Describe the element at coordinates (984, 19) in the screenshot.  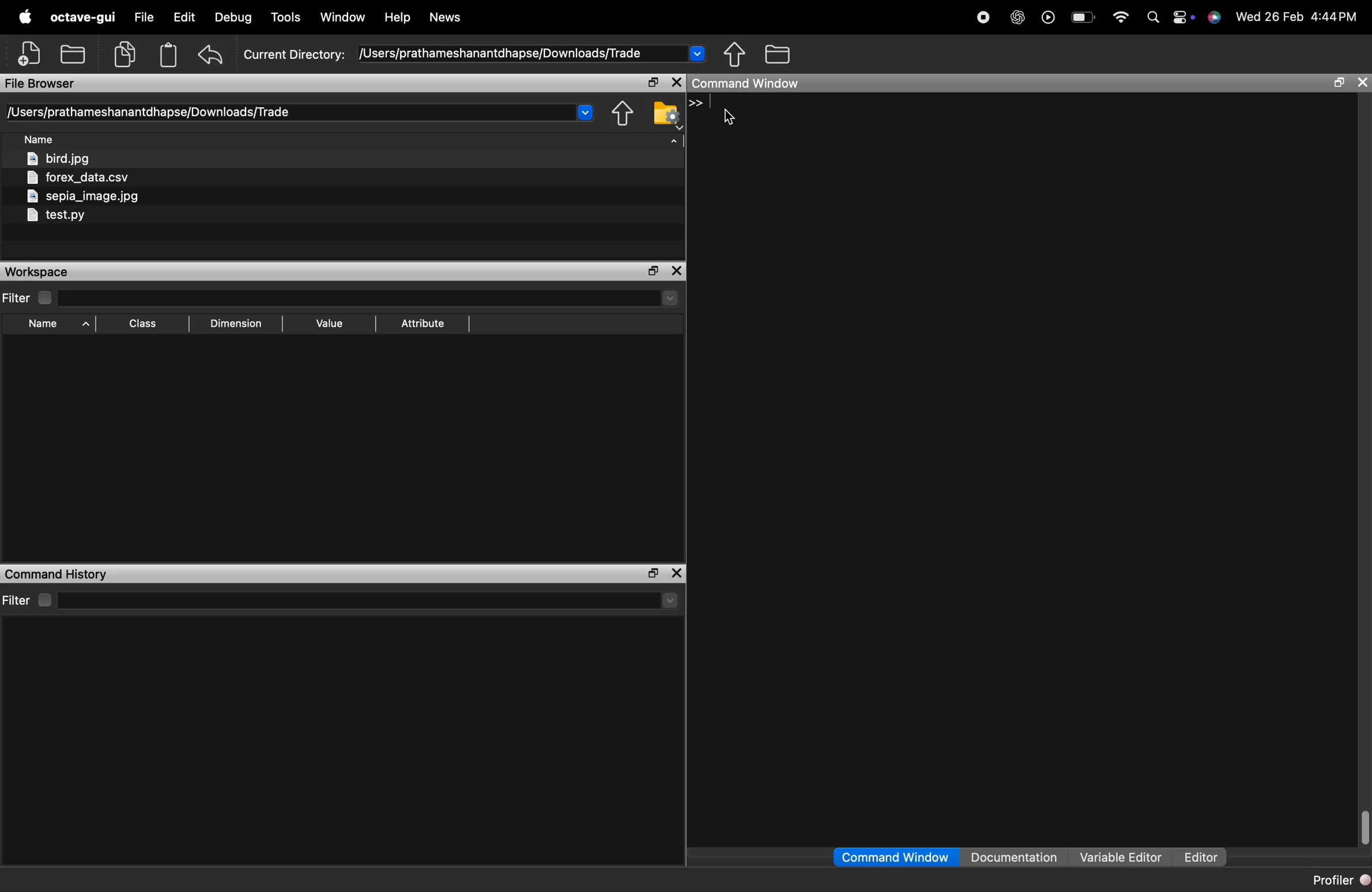
I see `stop recording` at that location.